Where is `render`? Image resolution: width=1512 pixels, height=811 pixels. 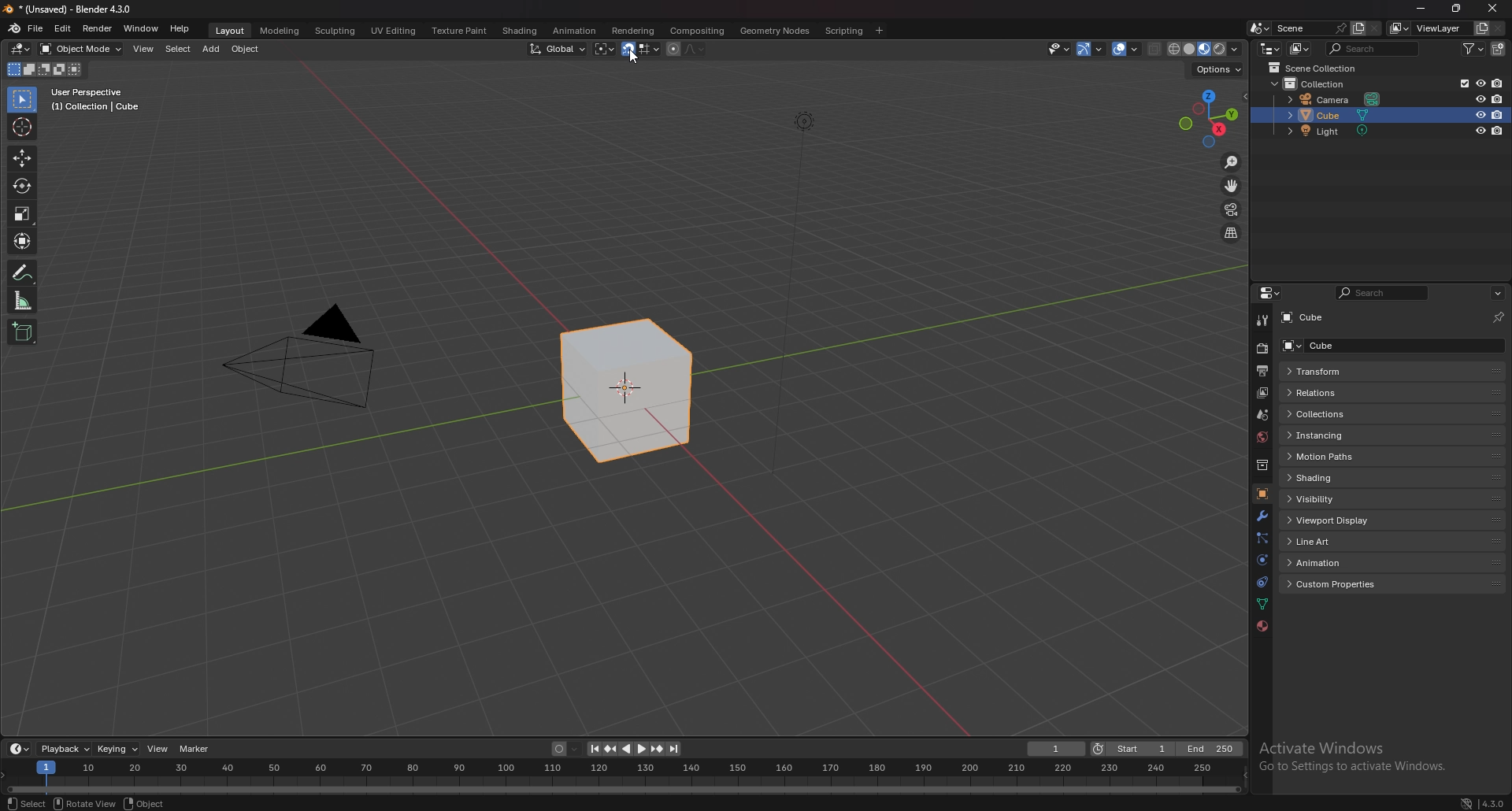 render is located at coordinates (1262, 348).